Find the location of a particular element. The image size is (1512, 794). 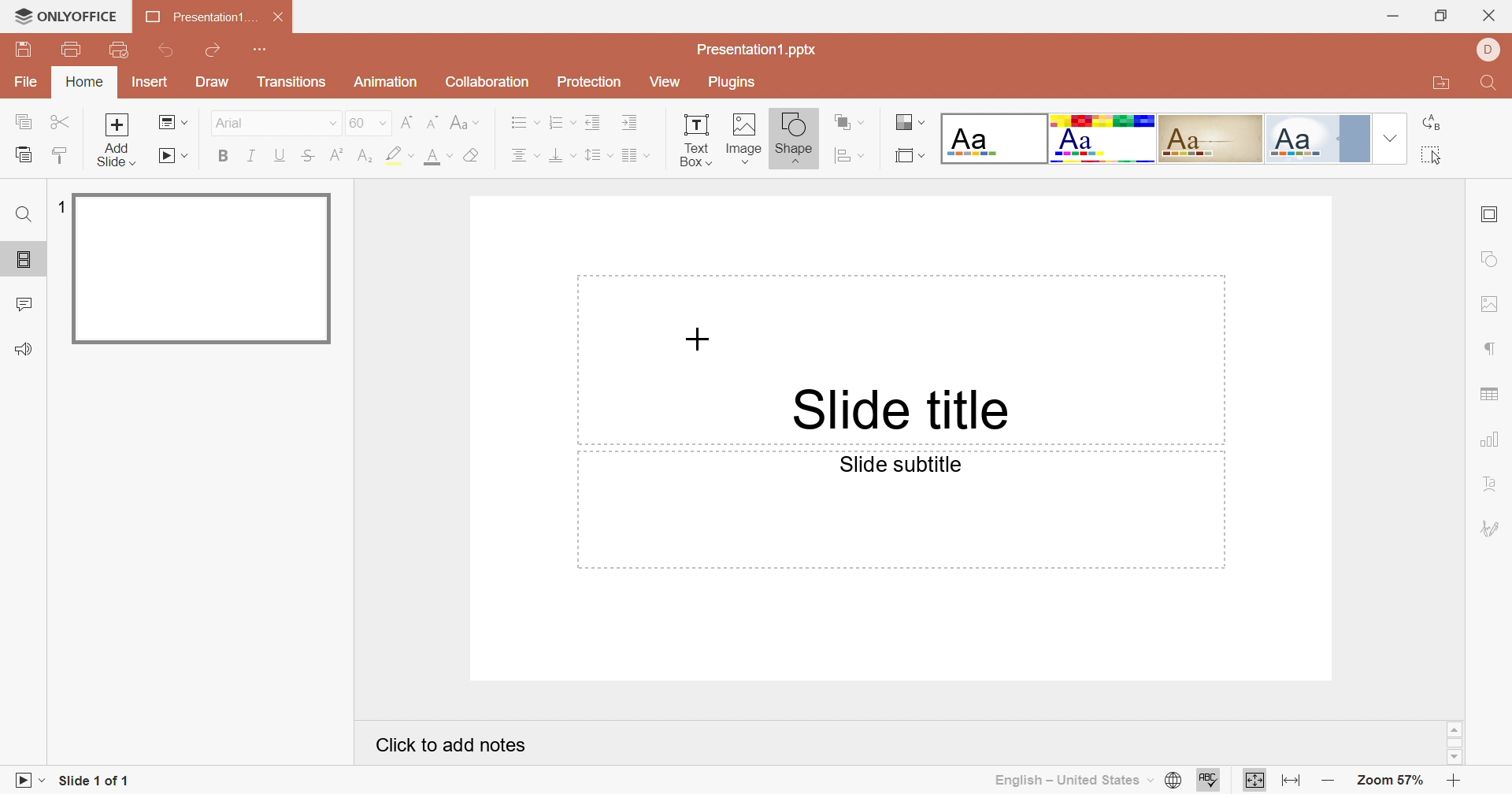

Slide title is located at coordinates (897, 408).